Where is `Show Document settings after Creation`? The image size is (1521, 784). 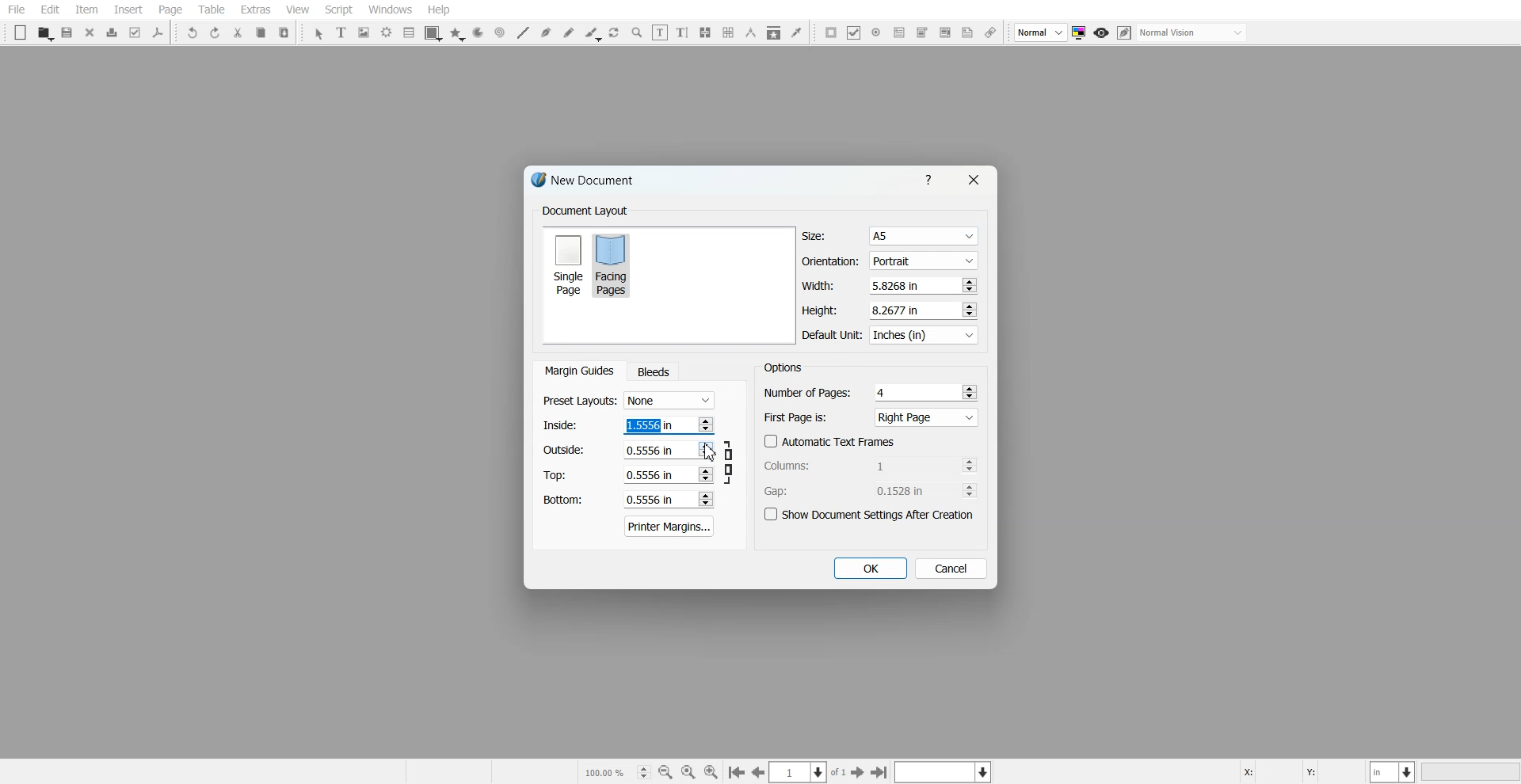 Show Document settings after Creation is located at coordinates (871, 515).